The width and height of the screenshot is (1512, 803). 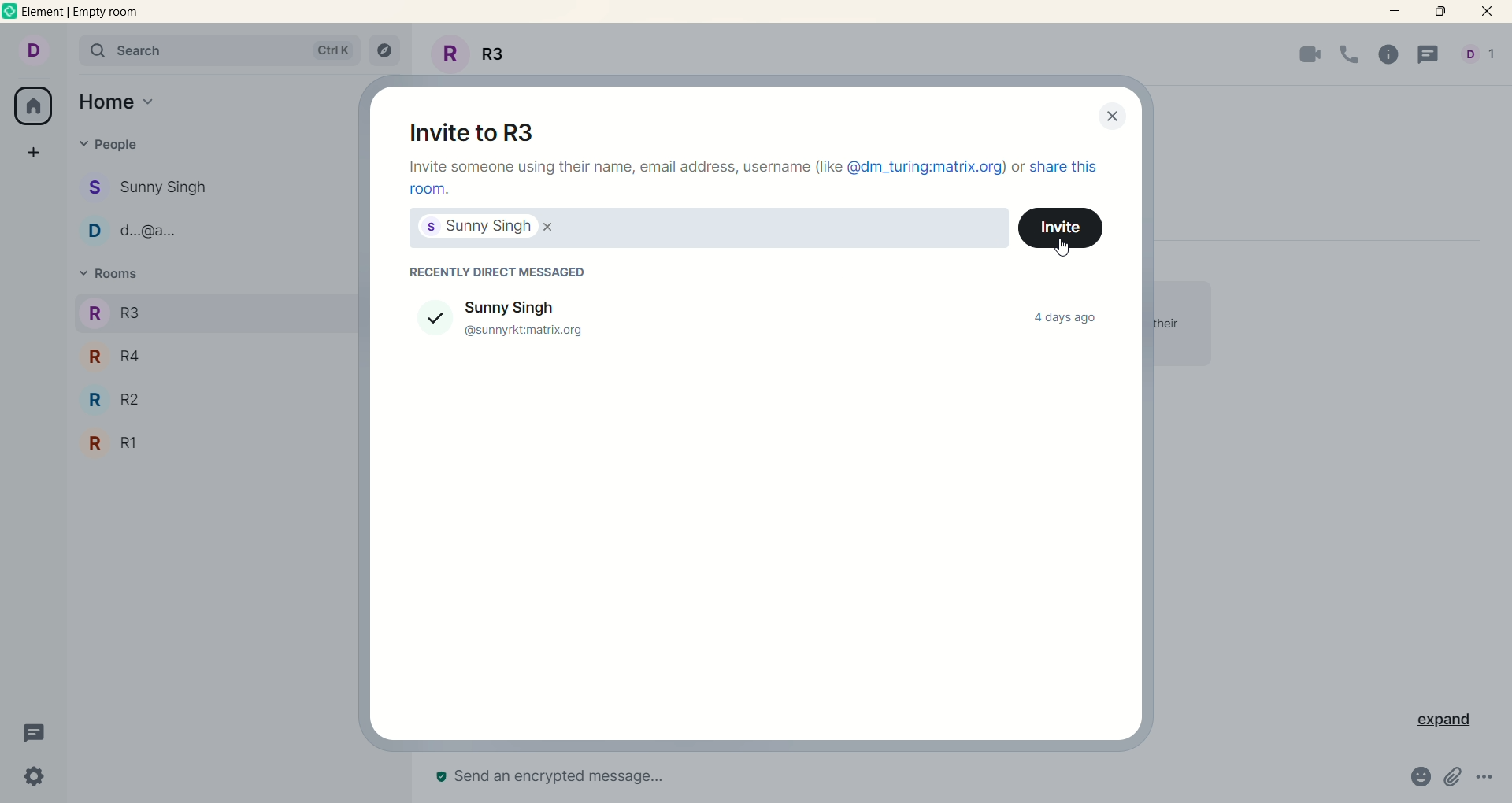 What do you see at coordinates (35, 105) in the screenshot?
I see `all rooms` at bounding box center [35, 105].